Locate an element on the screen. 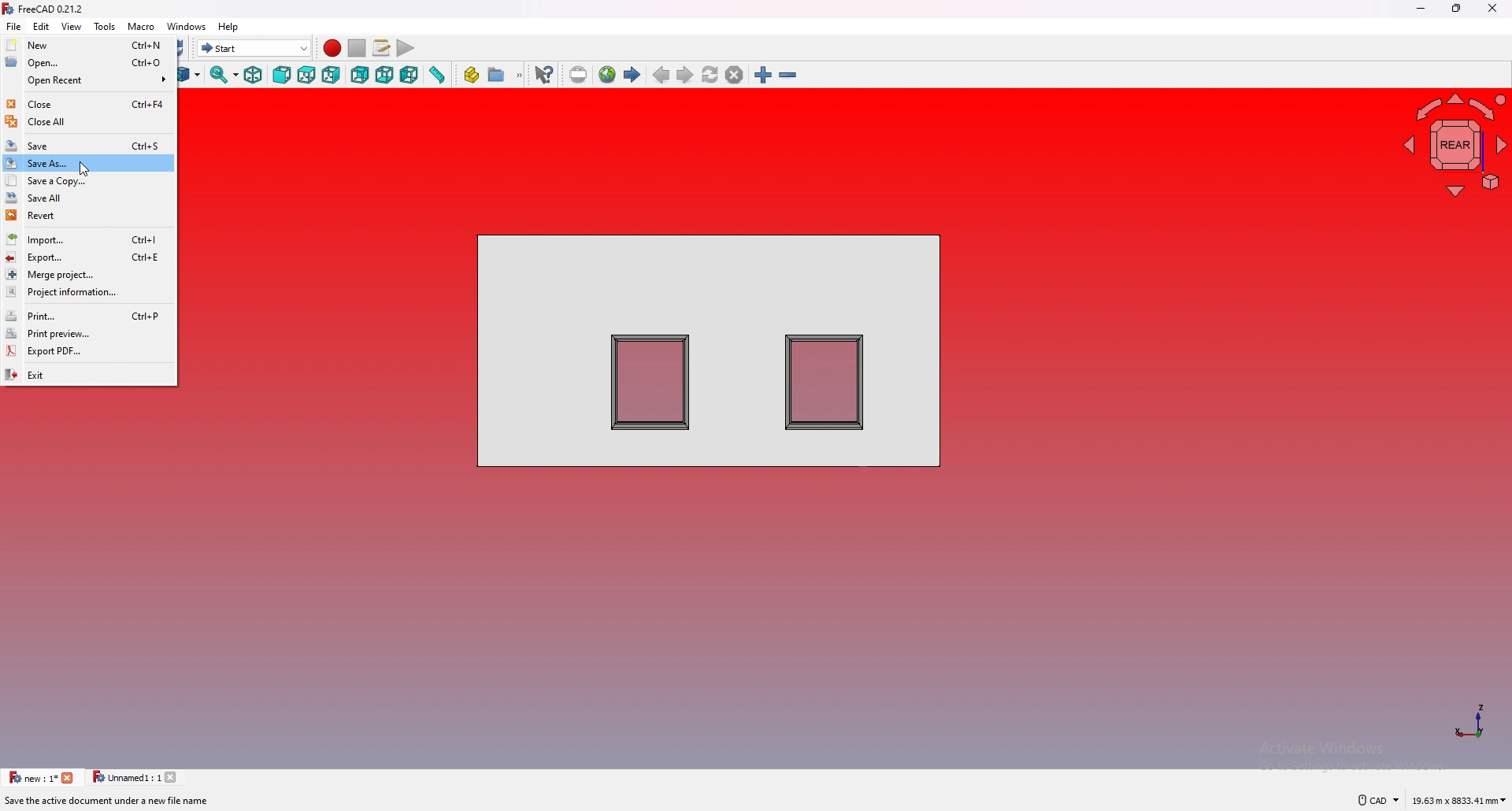 Image resolution: width=1512 pixels, height=811 pixels. refresh is located at coordinates (186, 48).